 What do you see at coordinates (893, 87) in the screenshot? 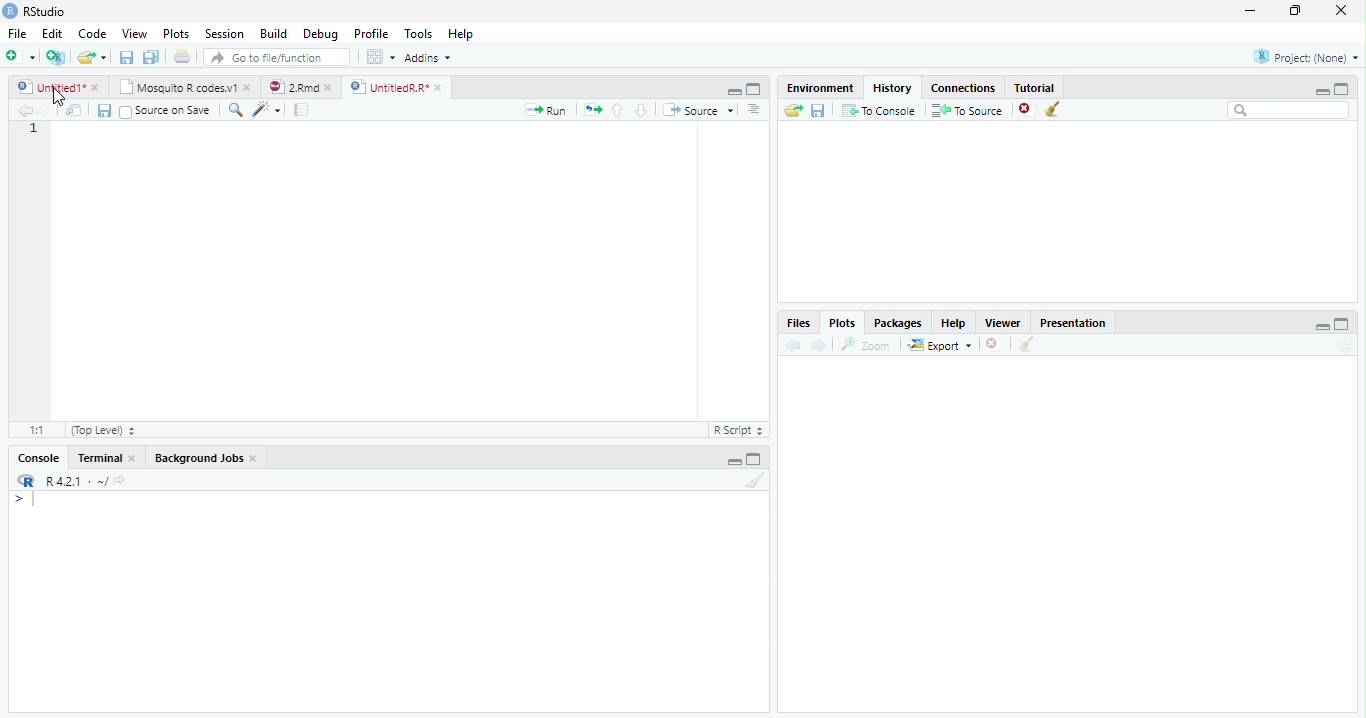
I see `History` at bounding box center [893, 87].